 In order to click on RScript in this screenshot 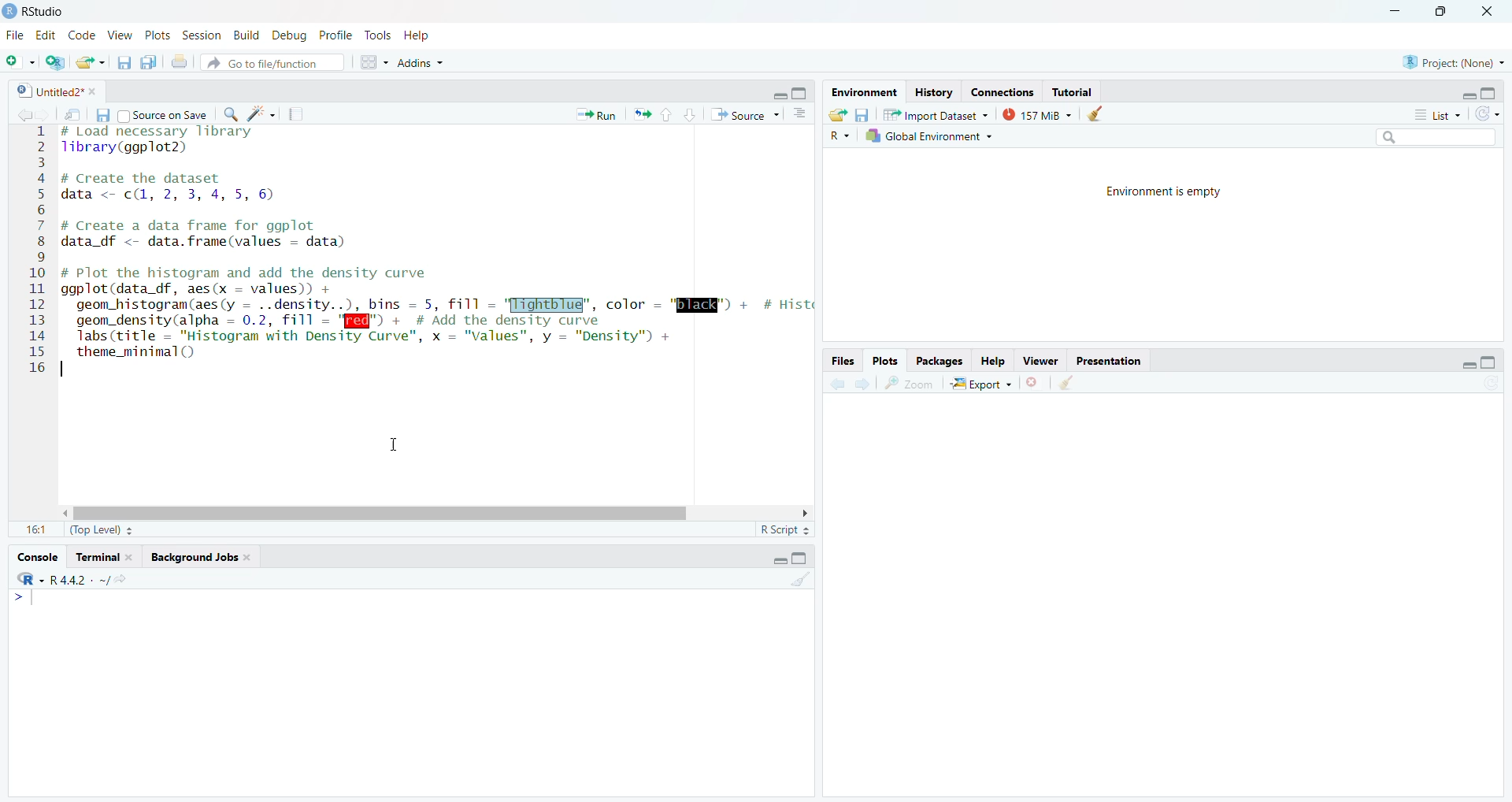, I will do `click(784, 528)`.